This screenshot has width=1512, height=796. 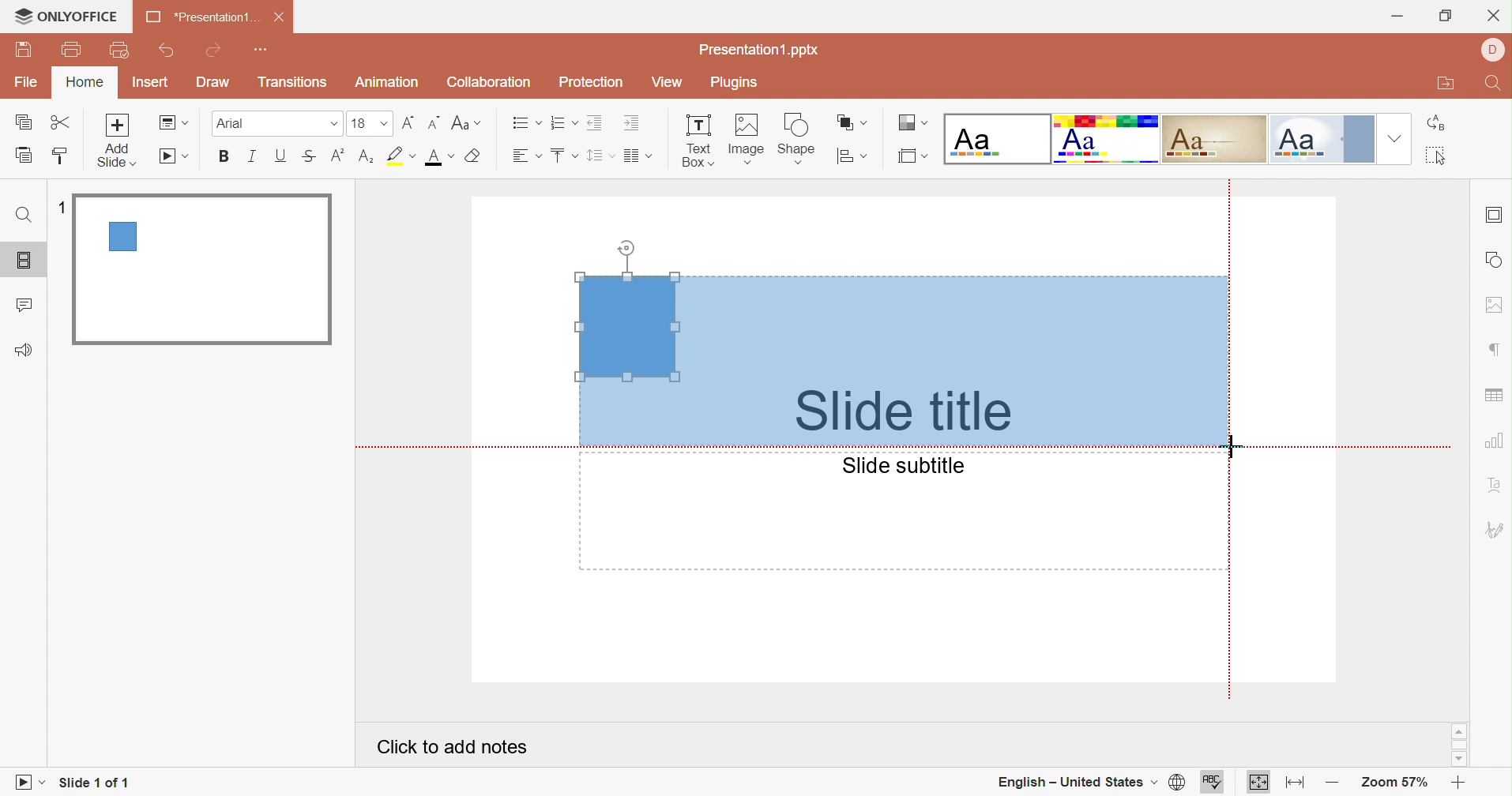 What do you see at coordinates (564, 156) in the screenshot?
I see `Vertical align` at bounding box center [564, 156].